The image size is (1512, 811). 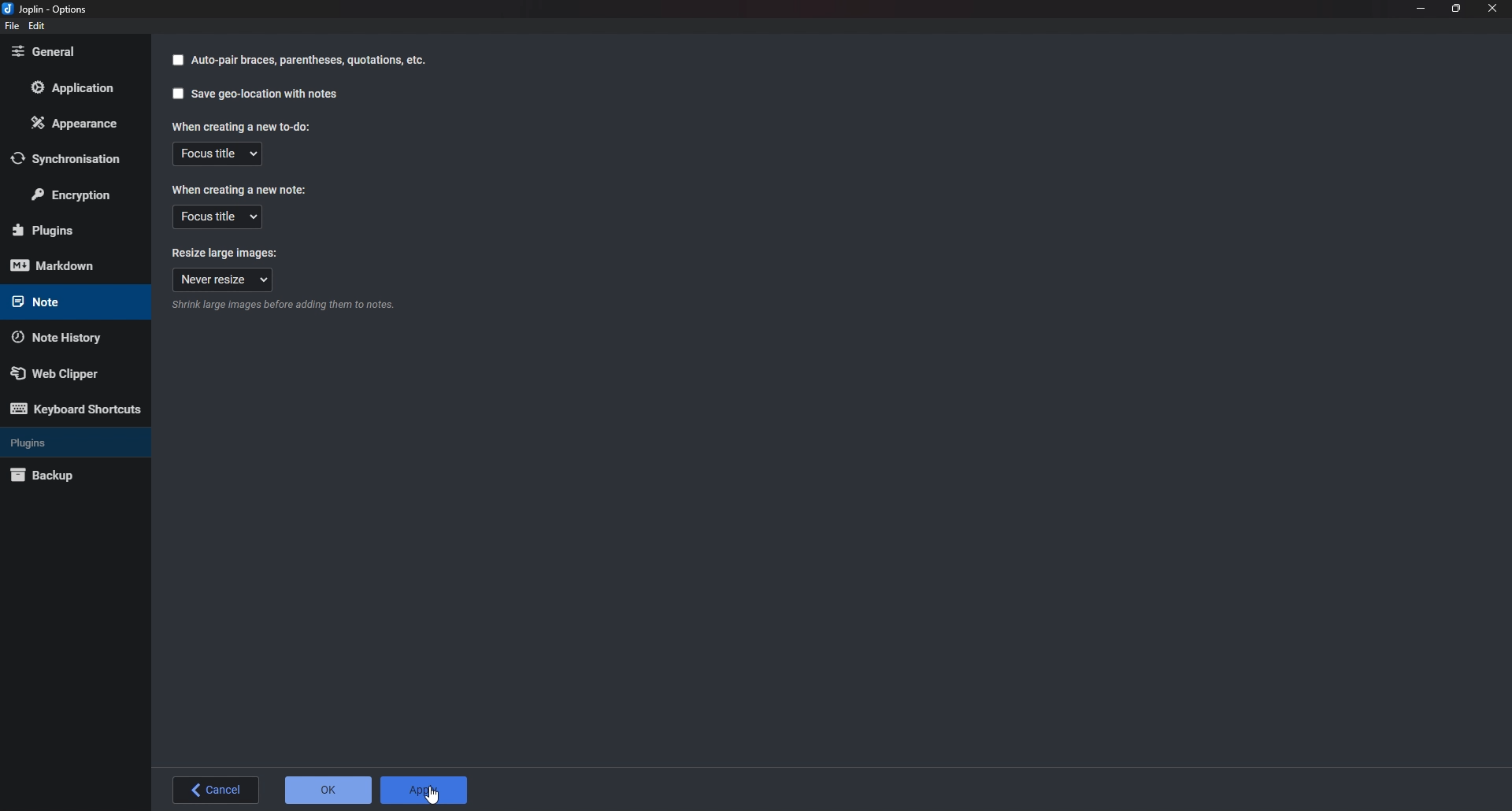 I want to click on Encryption, so click(x=76, y=193).